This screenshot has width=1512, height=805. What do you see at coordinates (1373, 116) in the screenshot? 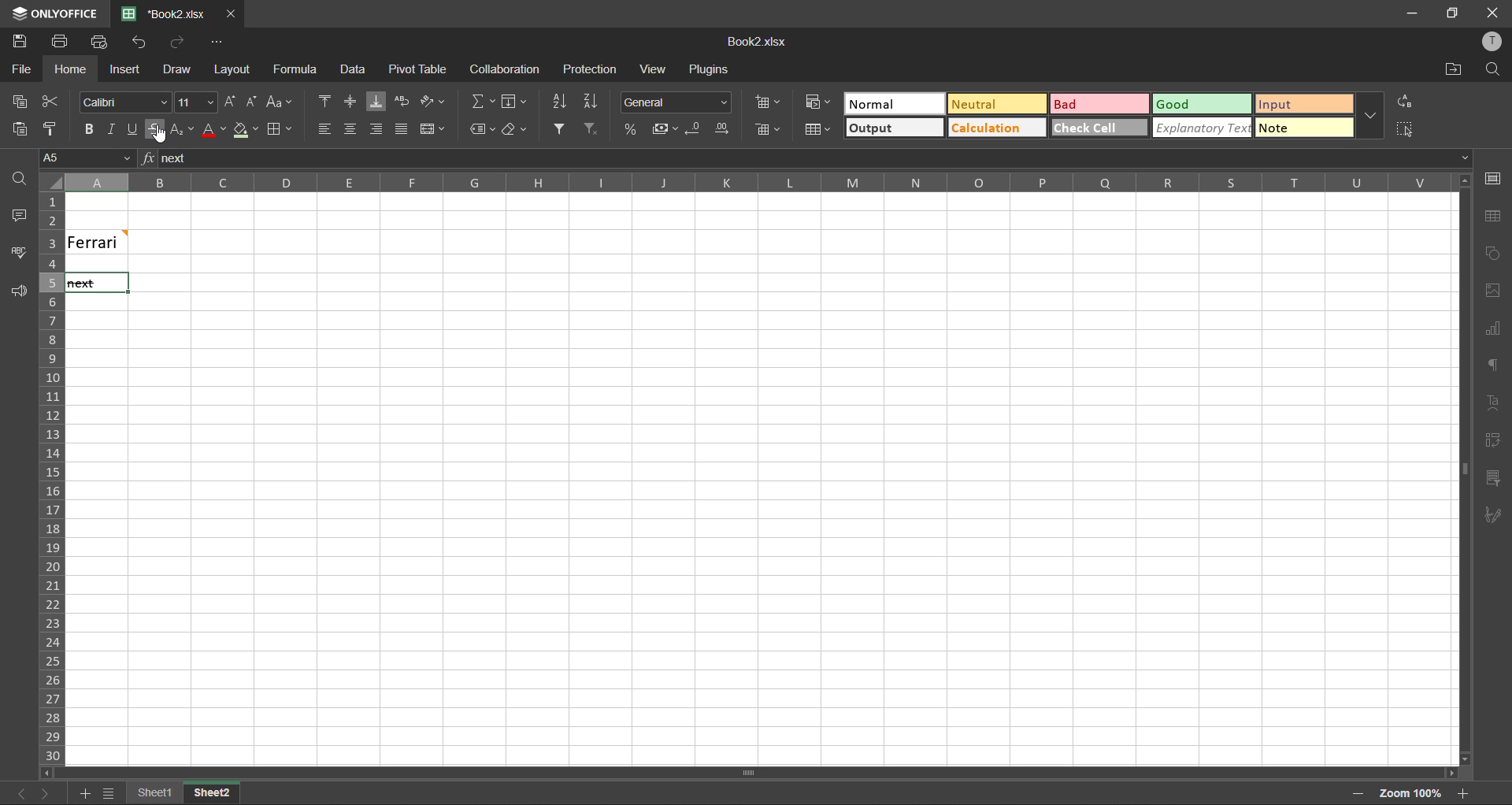
I see `more options` at bounding box center [1373, 116].